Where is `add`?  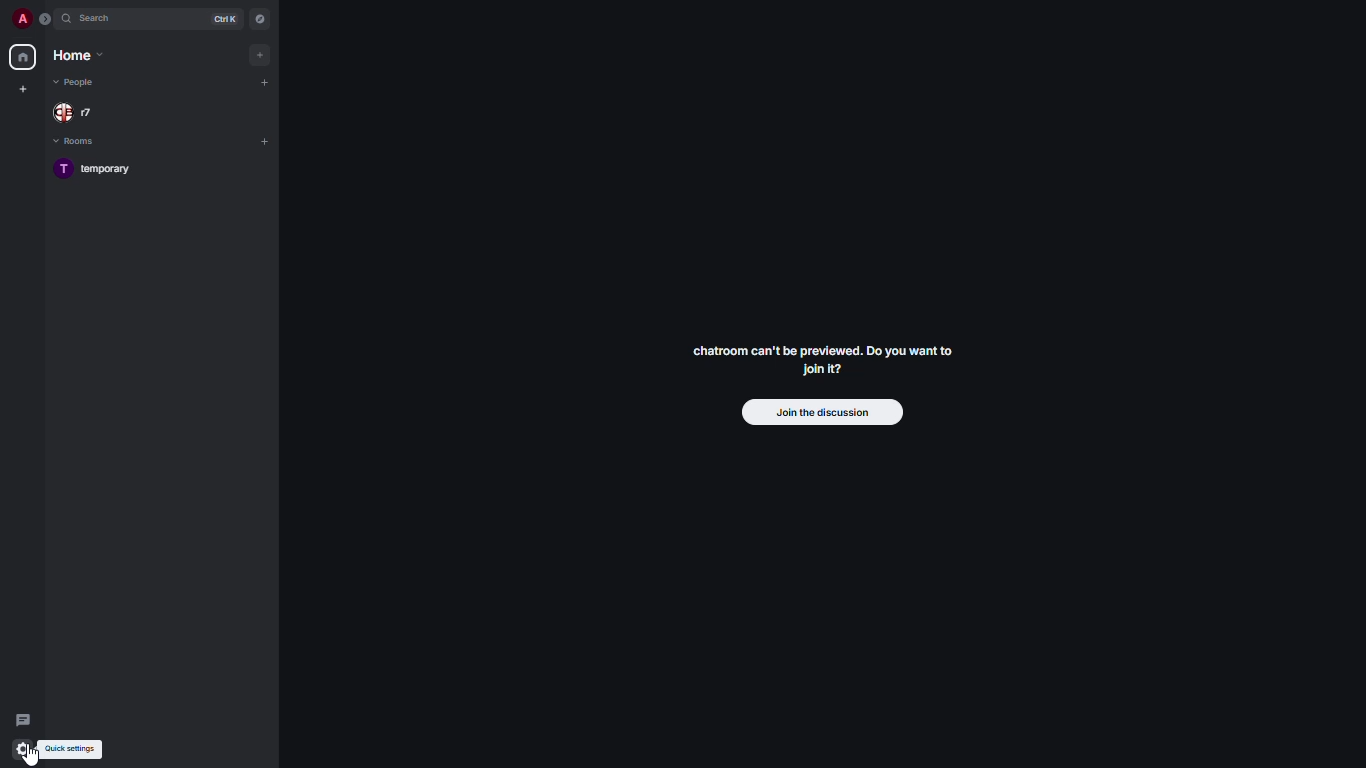
add is located at coordinates (263, 54).